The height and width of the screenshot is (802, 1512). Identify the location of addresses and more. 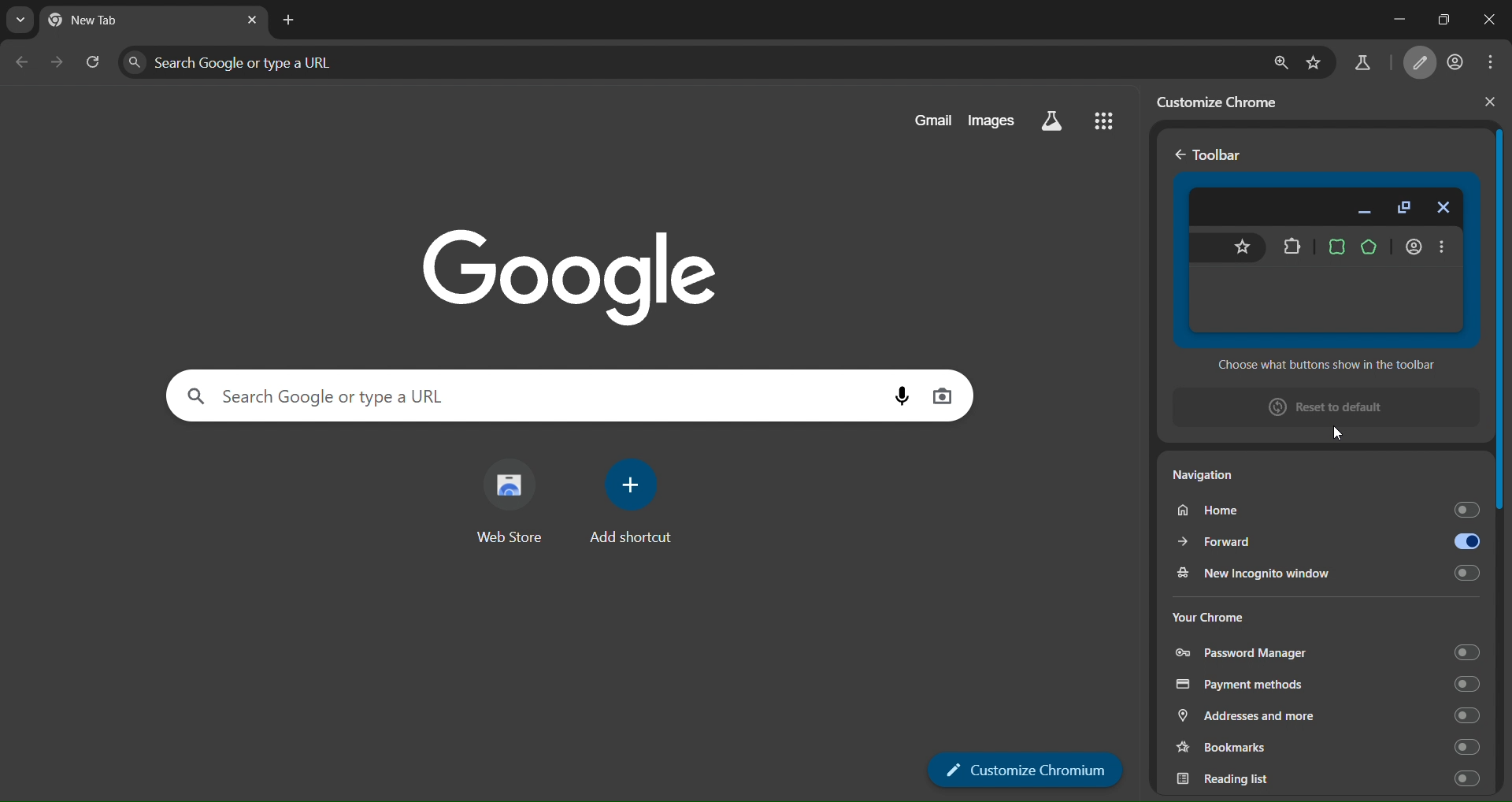
(1328, 717).